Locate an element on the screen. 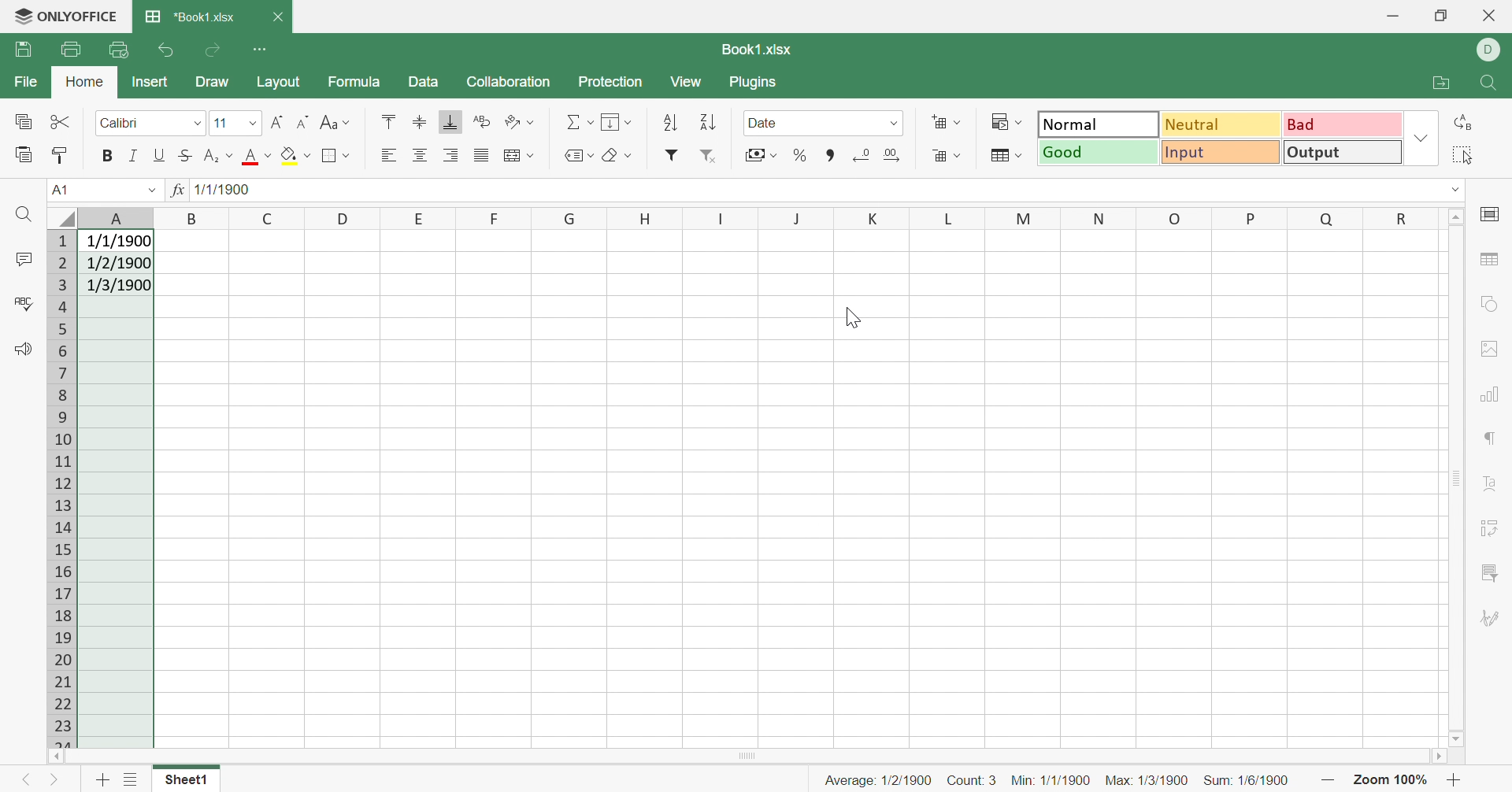 Image resolution: width=1512 pixels, height=792 pixels. Find is located at coordinates (22, 215).